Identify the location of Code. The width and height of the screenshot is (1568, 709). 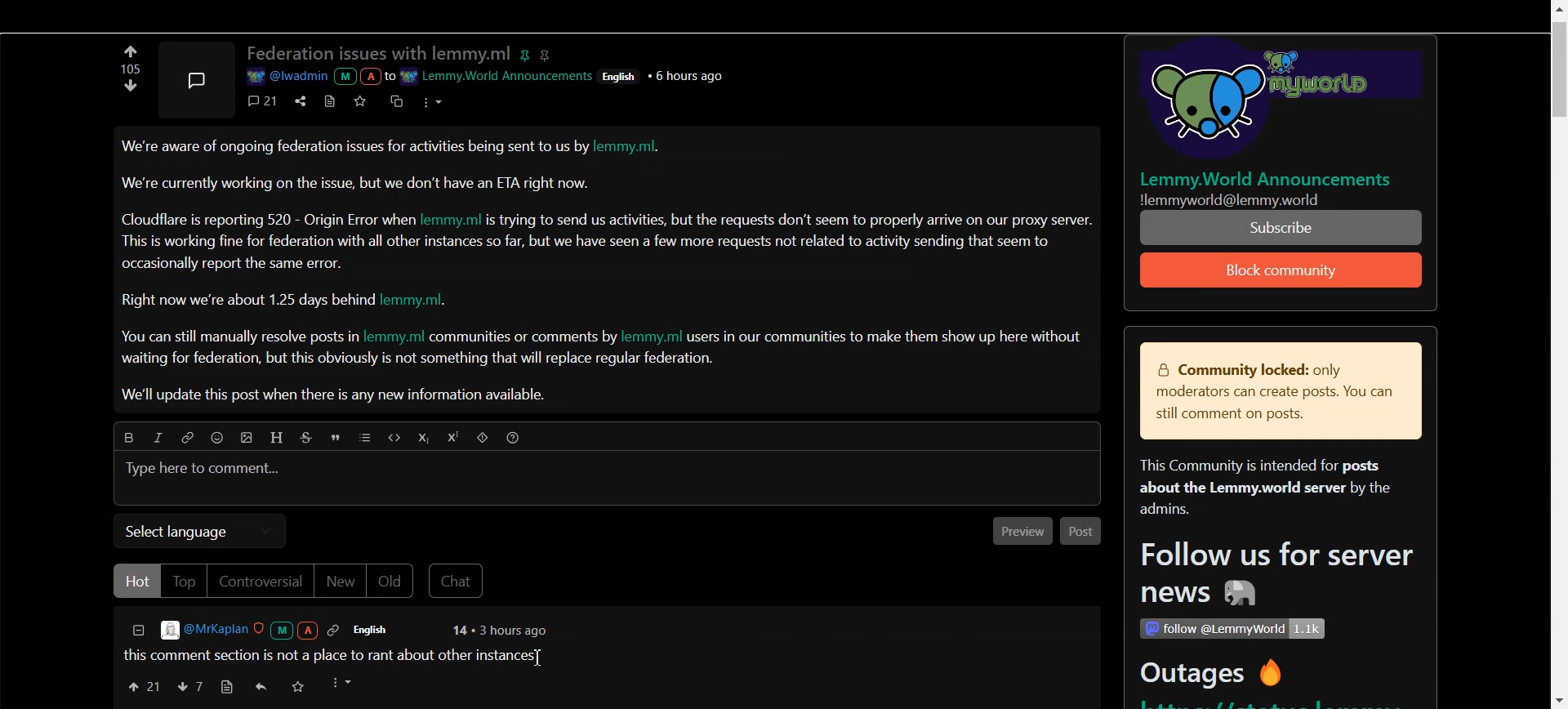
(392, 437).